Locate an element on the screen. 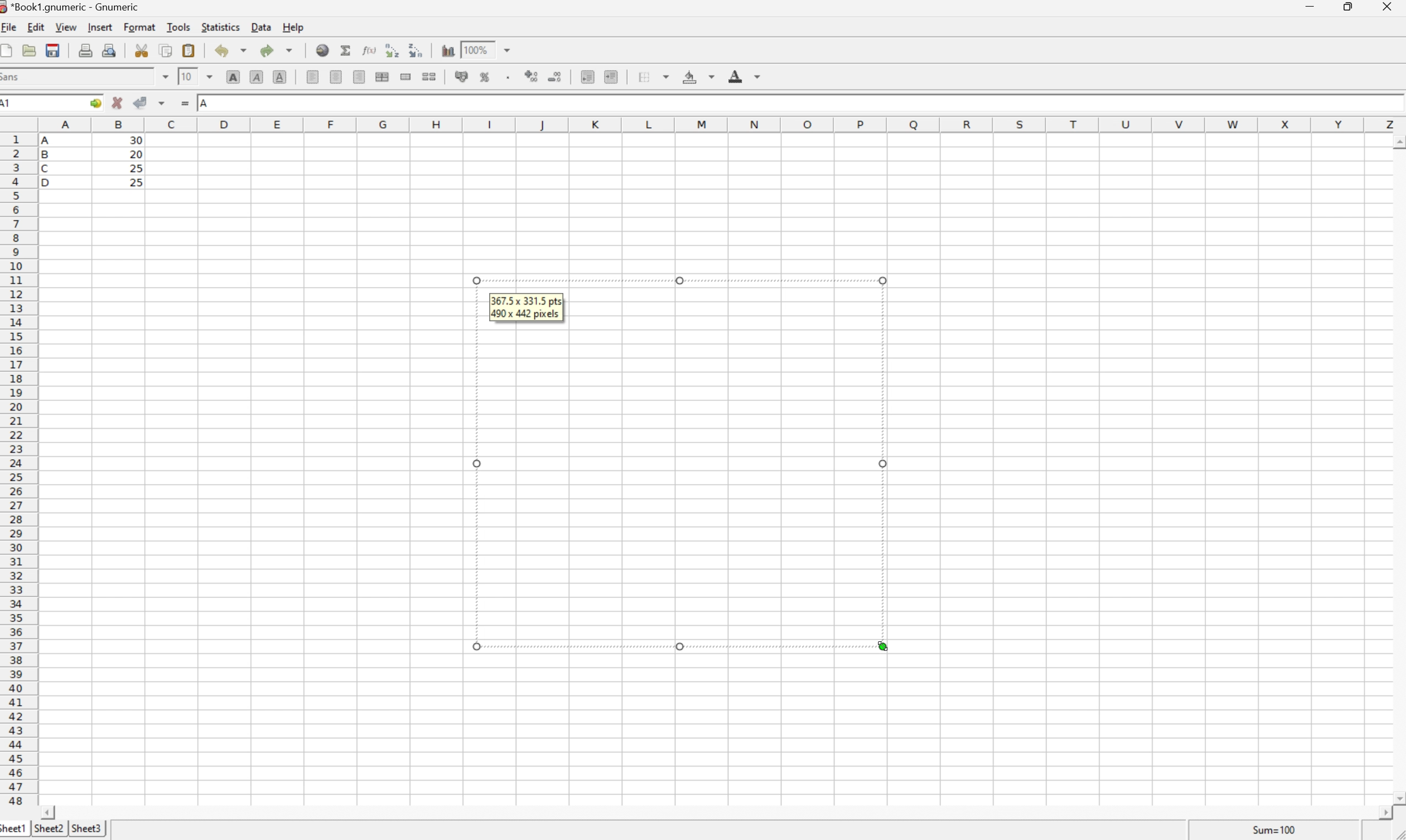  490*442 pixels is located at coordinates (528, 315).